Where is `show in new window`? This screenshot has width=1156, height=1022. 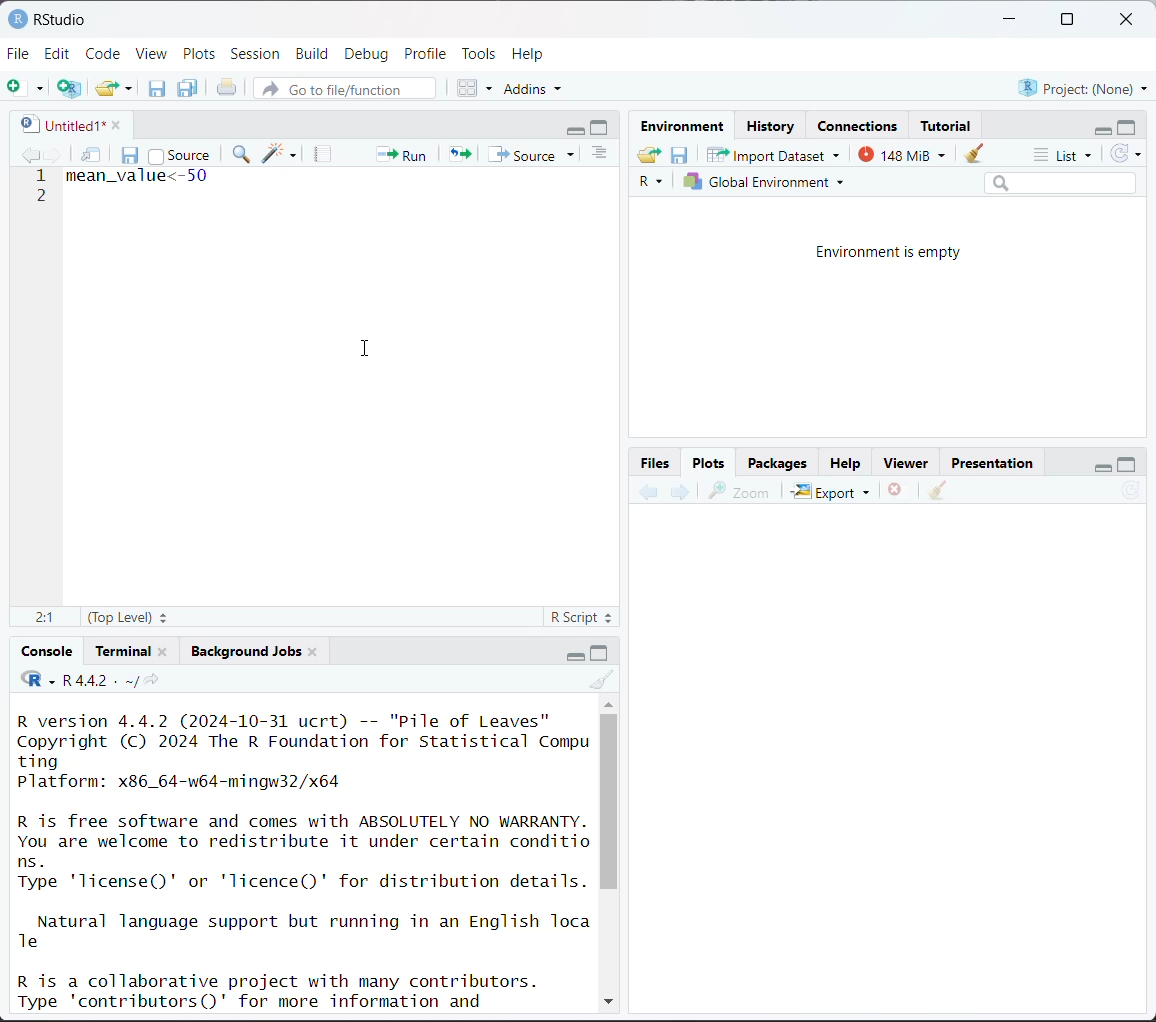
show in new window is located at coordinates (93, 156).